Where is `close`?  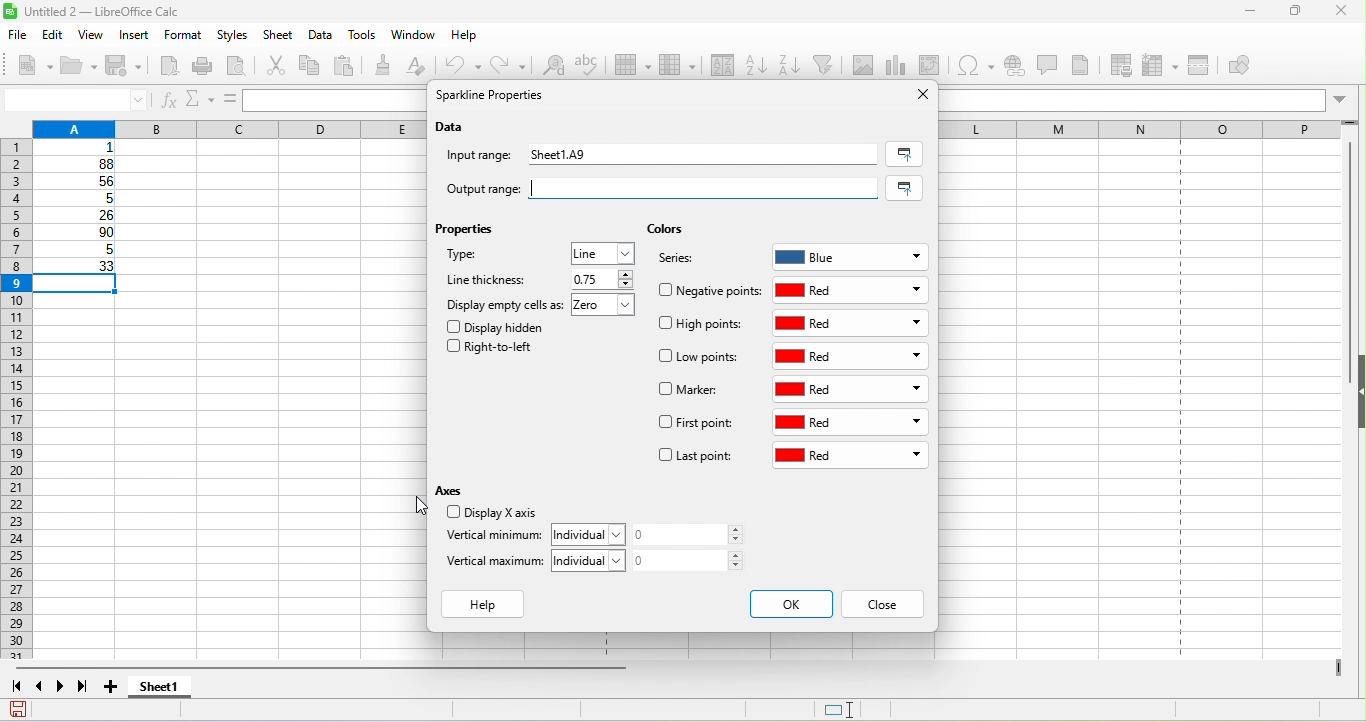
close is located at coordinates (917, 95).